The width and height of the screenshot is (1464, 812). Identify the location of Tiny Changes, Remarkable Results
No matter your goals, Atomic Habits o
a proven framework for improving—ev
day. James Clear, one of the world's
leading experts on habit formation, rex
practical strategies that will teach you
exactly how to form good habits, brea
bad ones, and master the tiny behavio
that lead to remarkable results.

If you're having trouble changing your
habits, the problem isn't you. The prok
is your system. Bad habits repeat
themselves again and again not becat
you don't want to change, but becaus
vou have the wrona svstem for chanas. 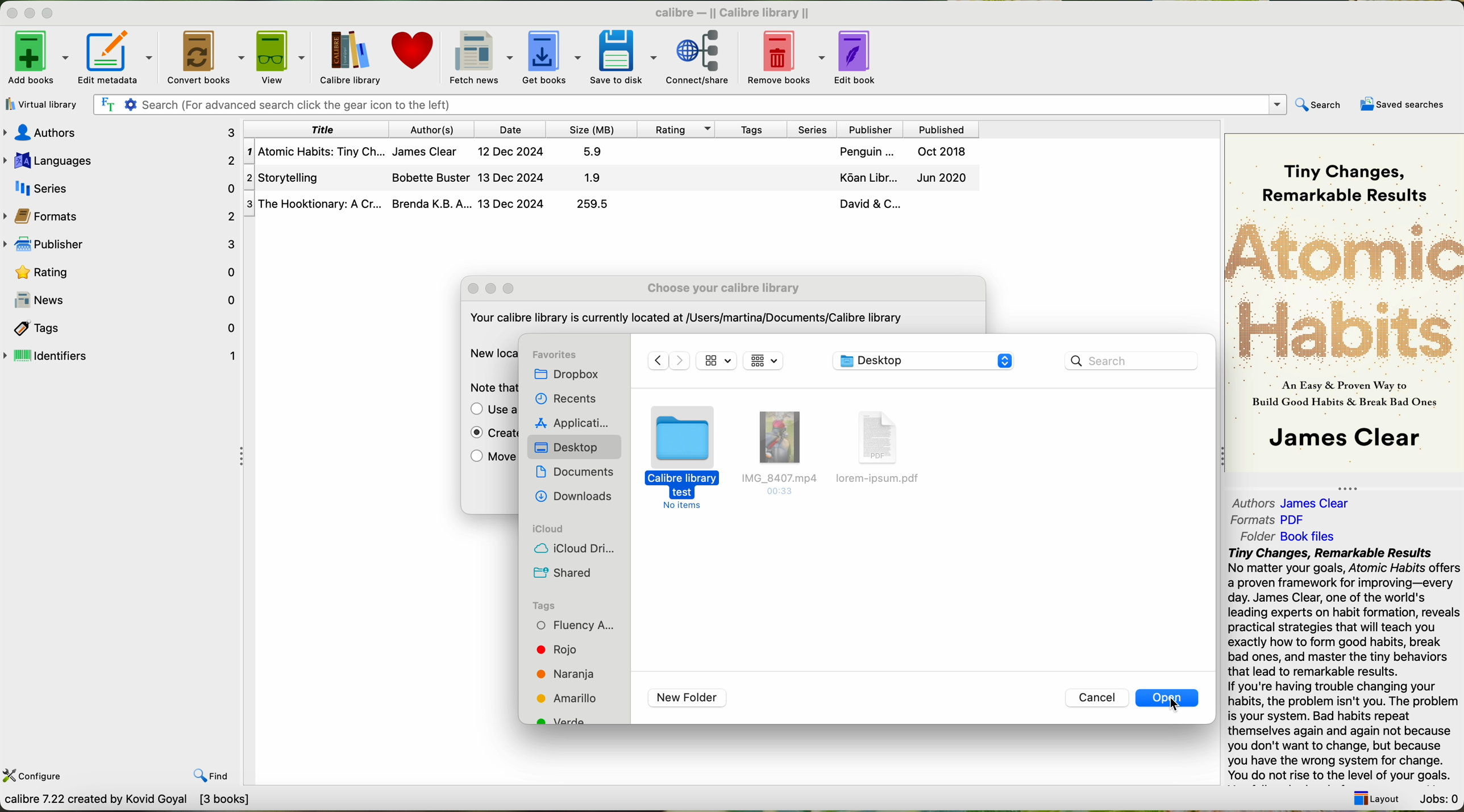
(1342, 663).